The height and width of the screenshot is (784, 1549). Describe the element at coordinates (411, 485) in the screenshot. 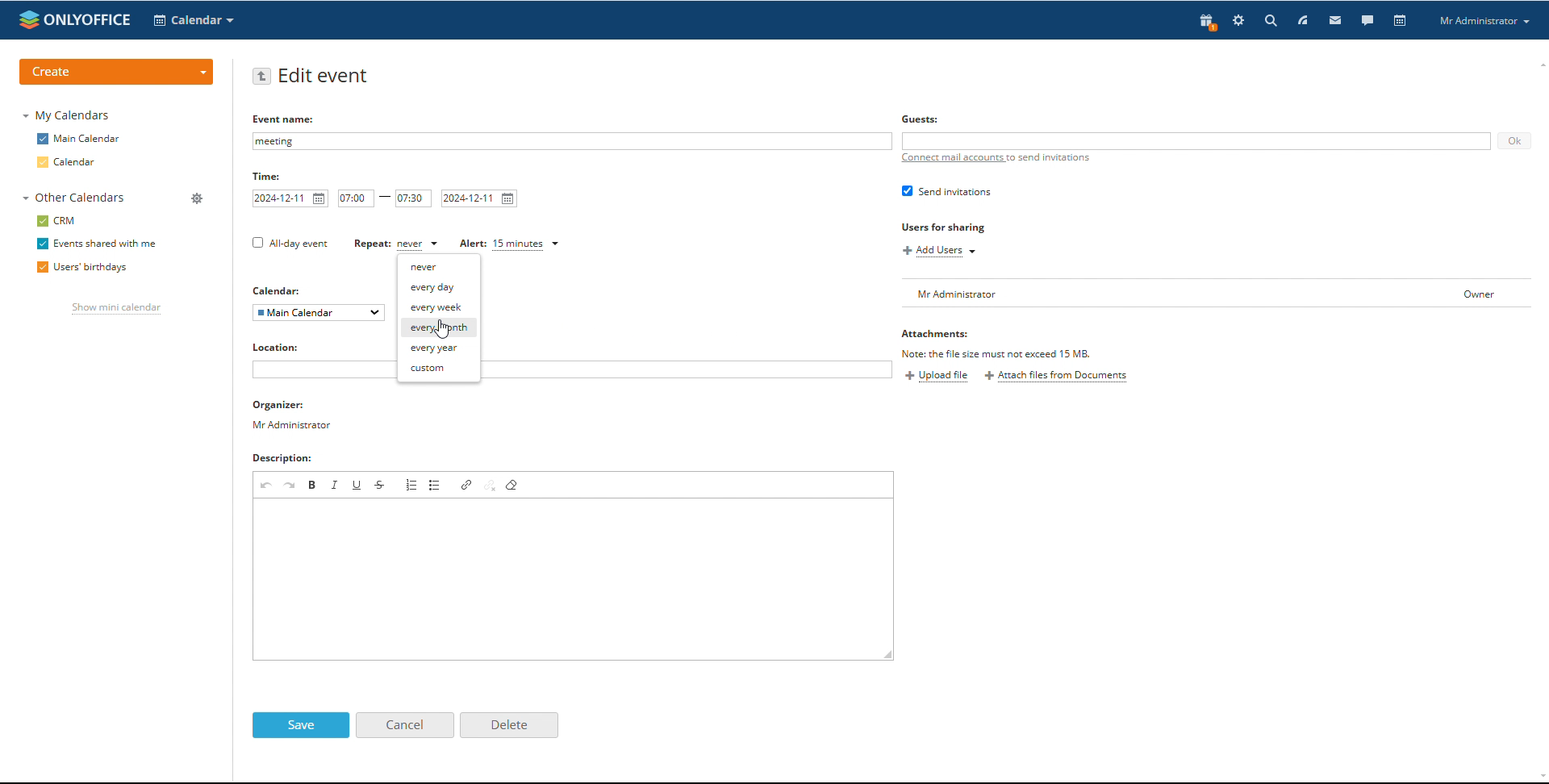

I see `insert/remove numbered list` at that location.